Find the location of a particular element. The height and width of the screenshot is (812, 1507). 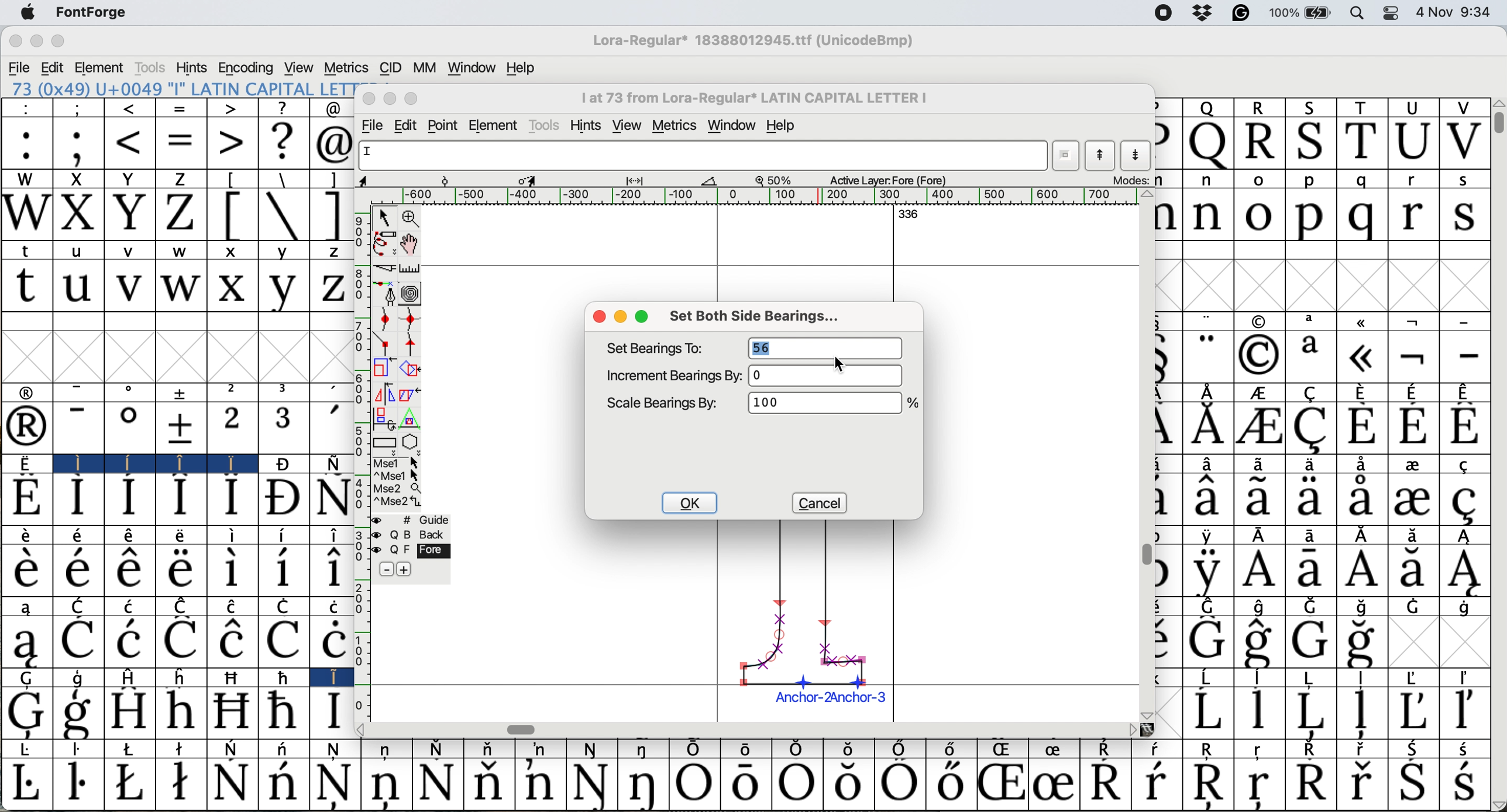

Symbol is located at coordinates (1000, 785).